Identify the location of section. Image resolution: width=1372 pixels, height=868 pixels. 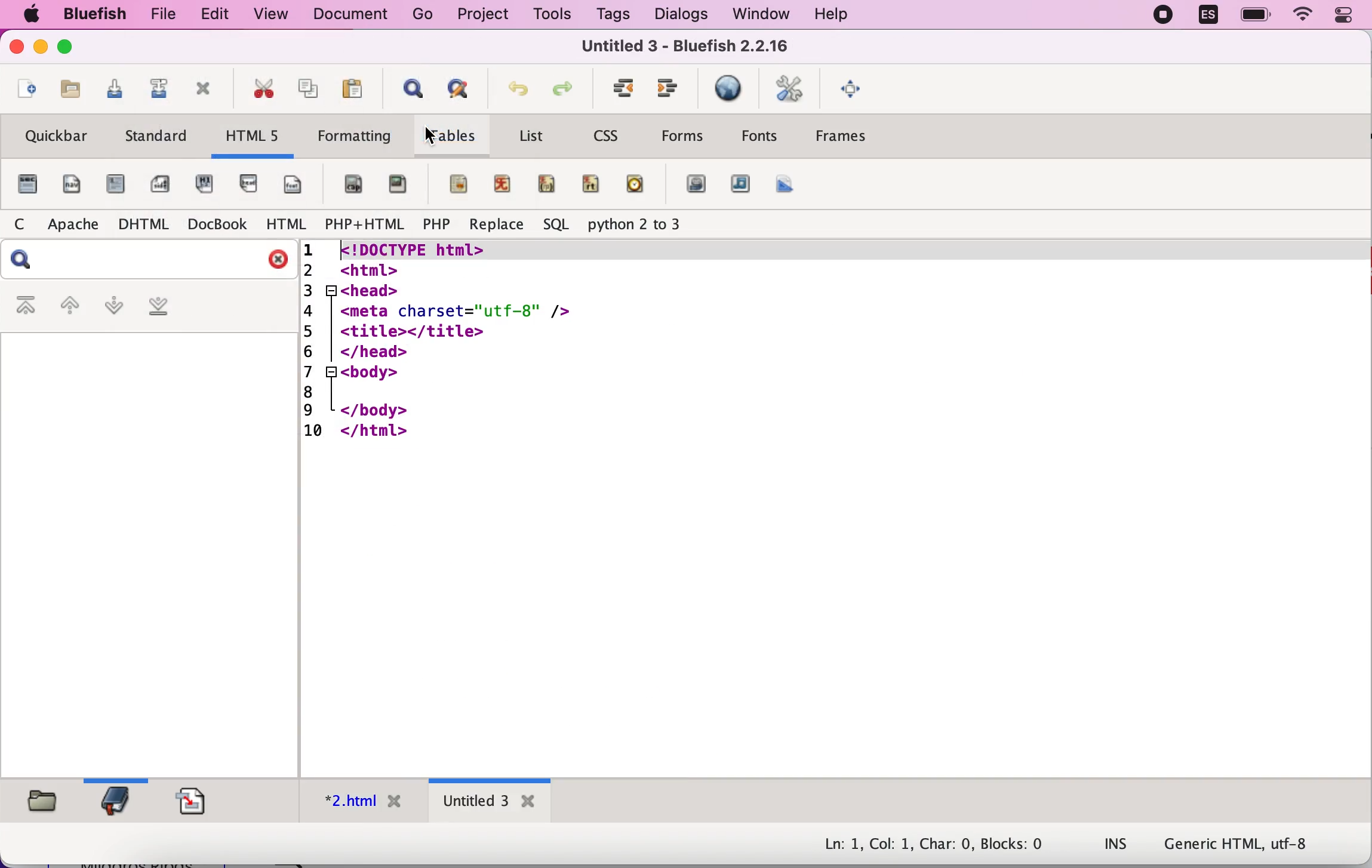
(26, 184).